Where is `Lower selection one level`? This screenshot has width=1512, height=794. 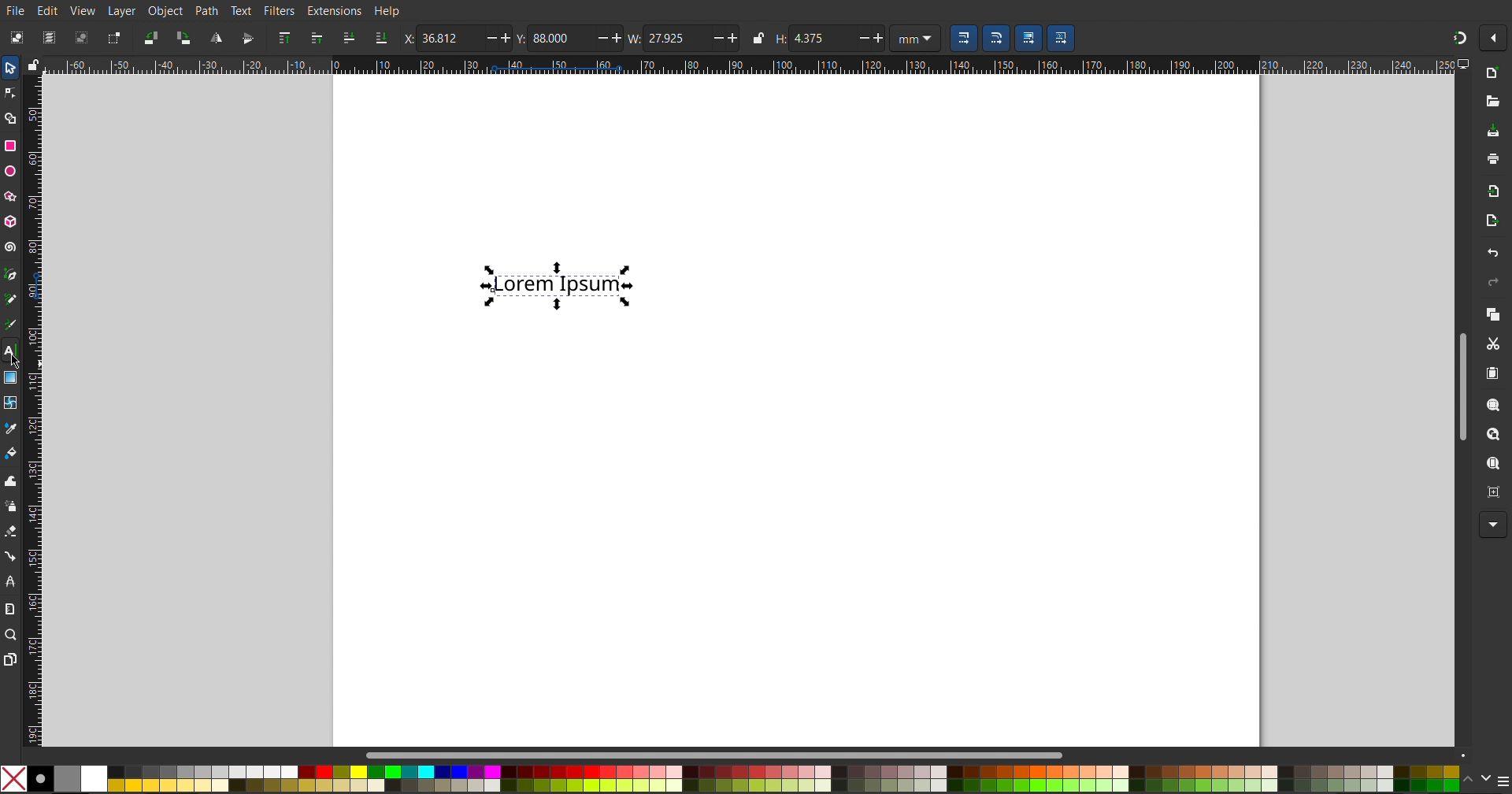 Lower selection one level is located at coordinates (347, 39).